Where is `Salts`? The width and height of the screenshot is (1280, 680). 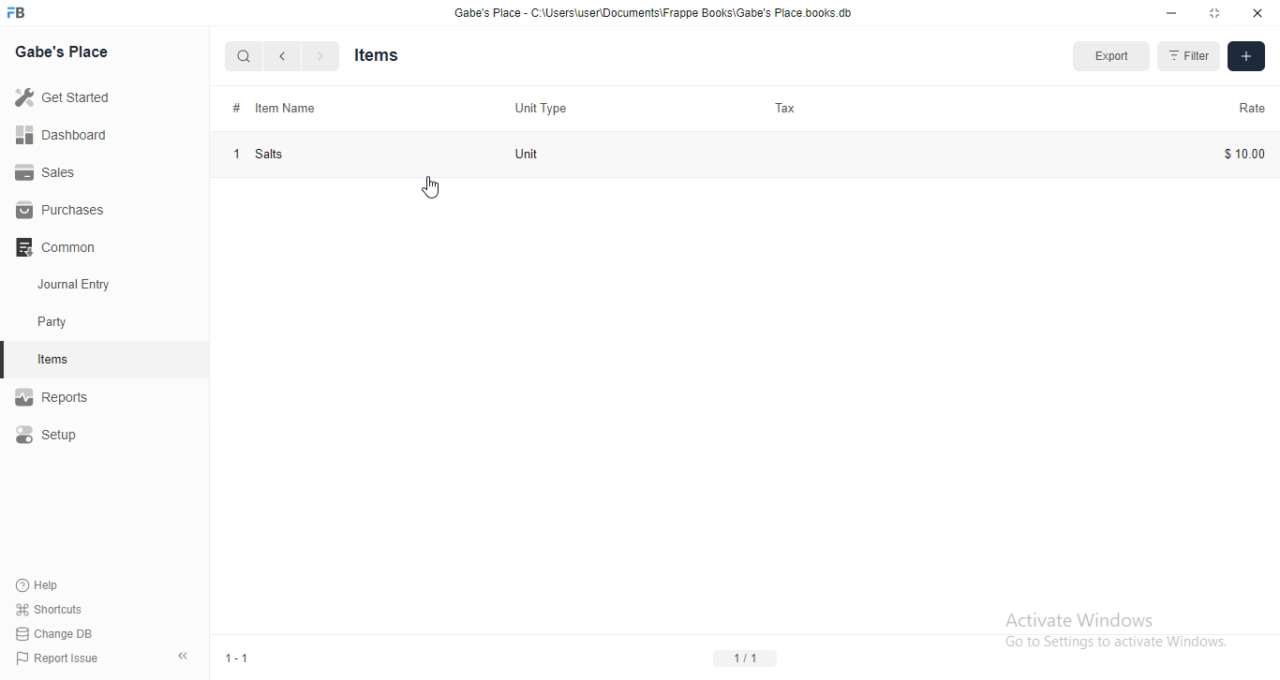
Salts is located at coordinates (277, 154).